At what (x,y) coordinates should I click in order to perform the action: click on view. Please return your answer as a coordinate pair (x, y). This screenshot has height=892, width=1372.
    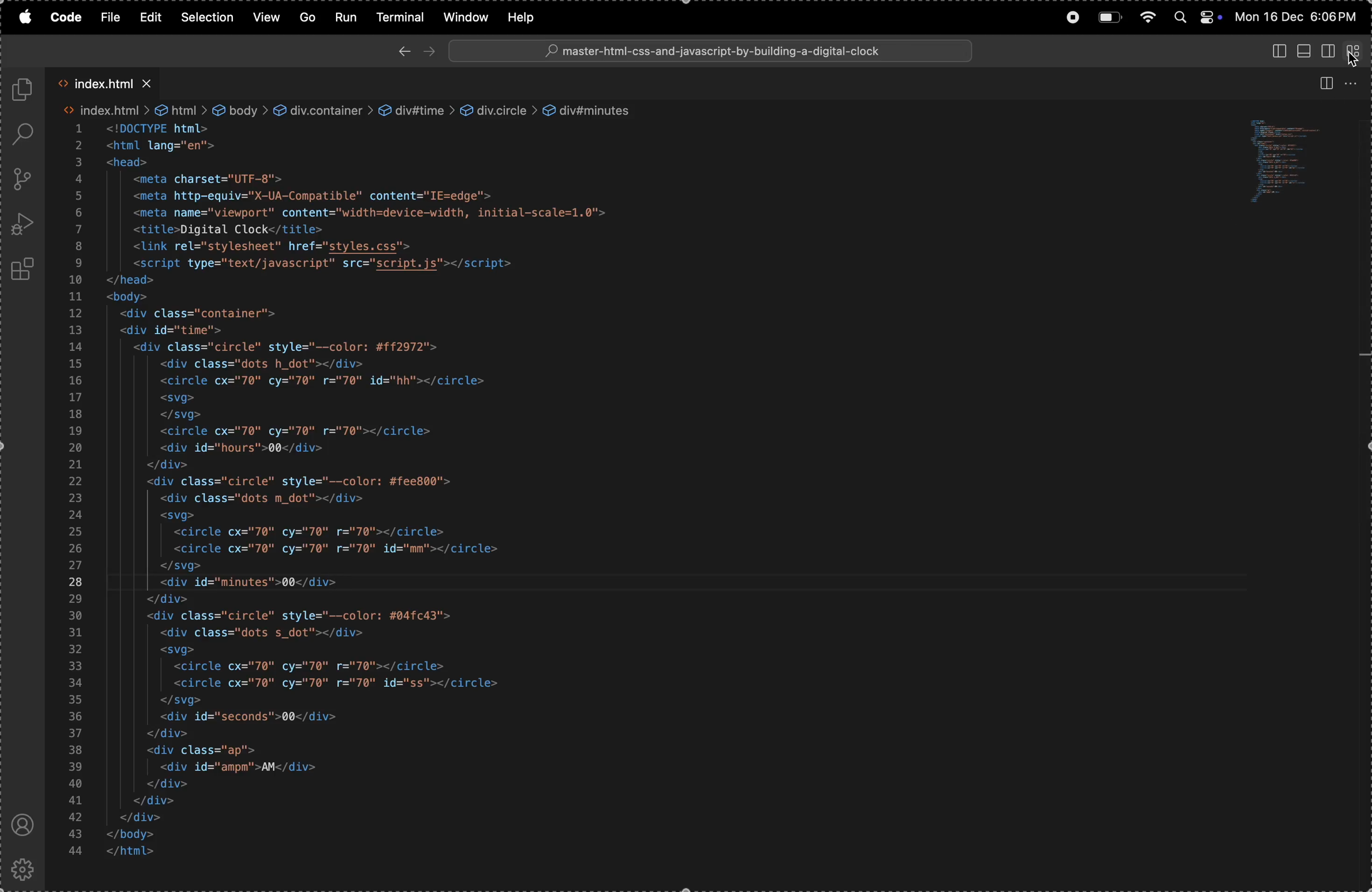
    Looking at the image, I should click on (267, 17).